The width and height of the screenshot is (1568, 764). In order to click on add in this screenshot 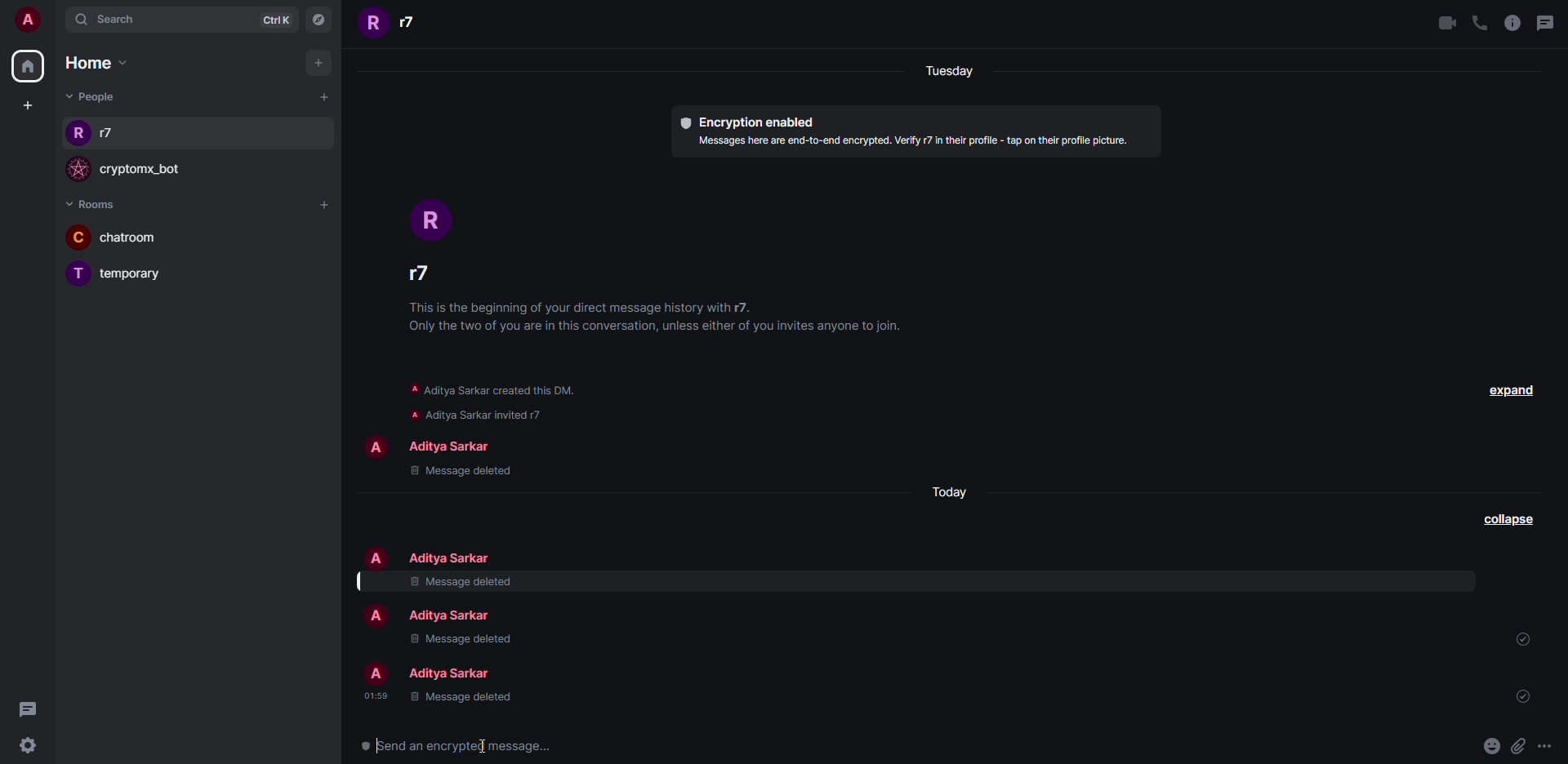, I will do `click(326, 205)`.